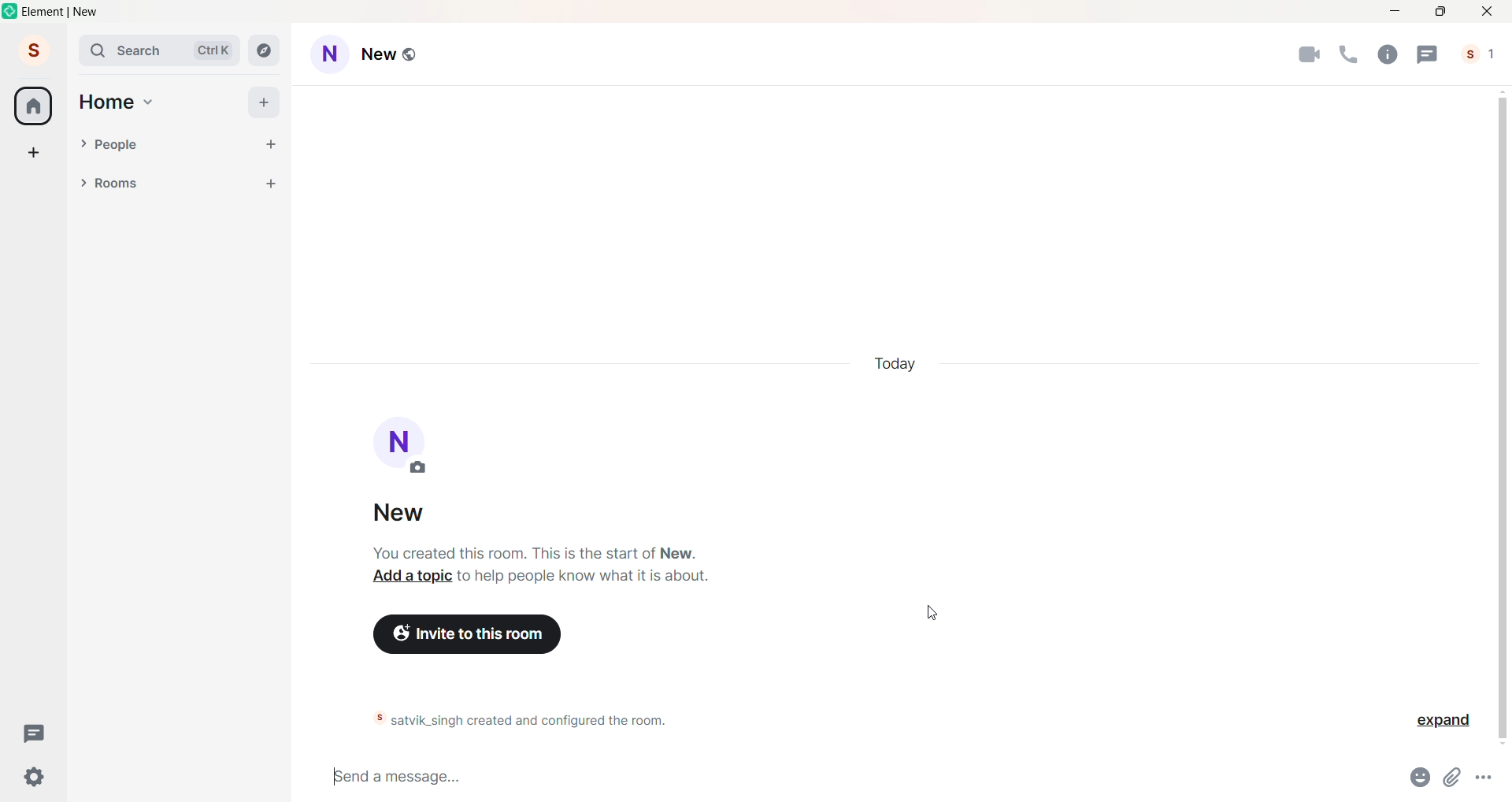 This screenshot has height=802, width=1512. What do you see at coordinates (1455, 778) in the screenshot?
I see `Attachments` at bounding box center [1455, 778].